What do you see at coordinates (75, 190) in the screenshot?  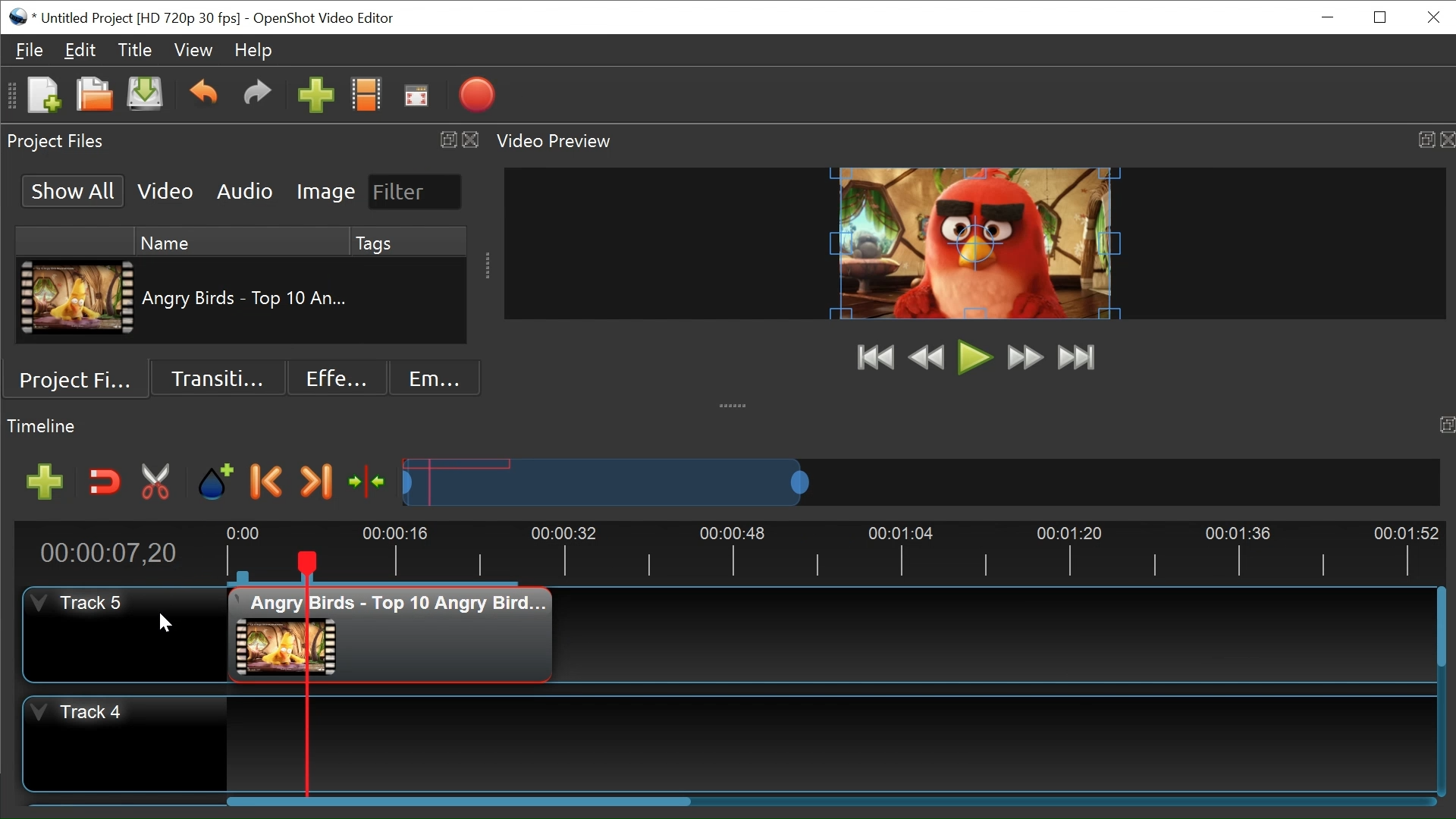 I see `Show All` at bounding box center [75, 190].